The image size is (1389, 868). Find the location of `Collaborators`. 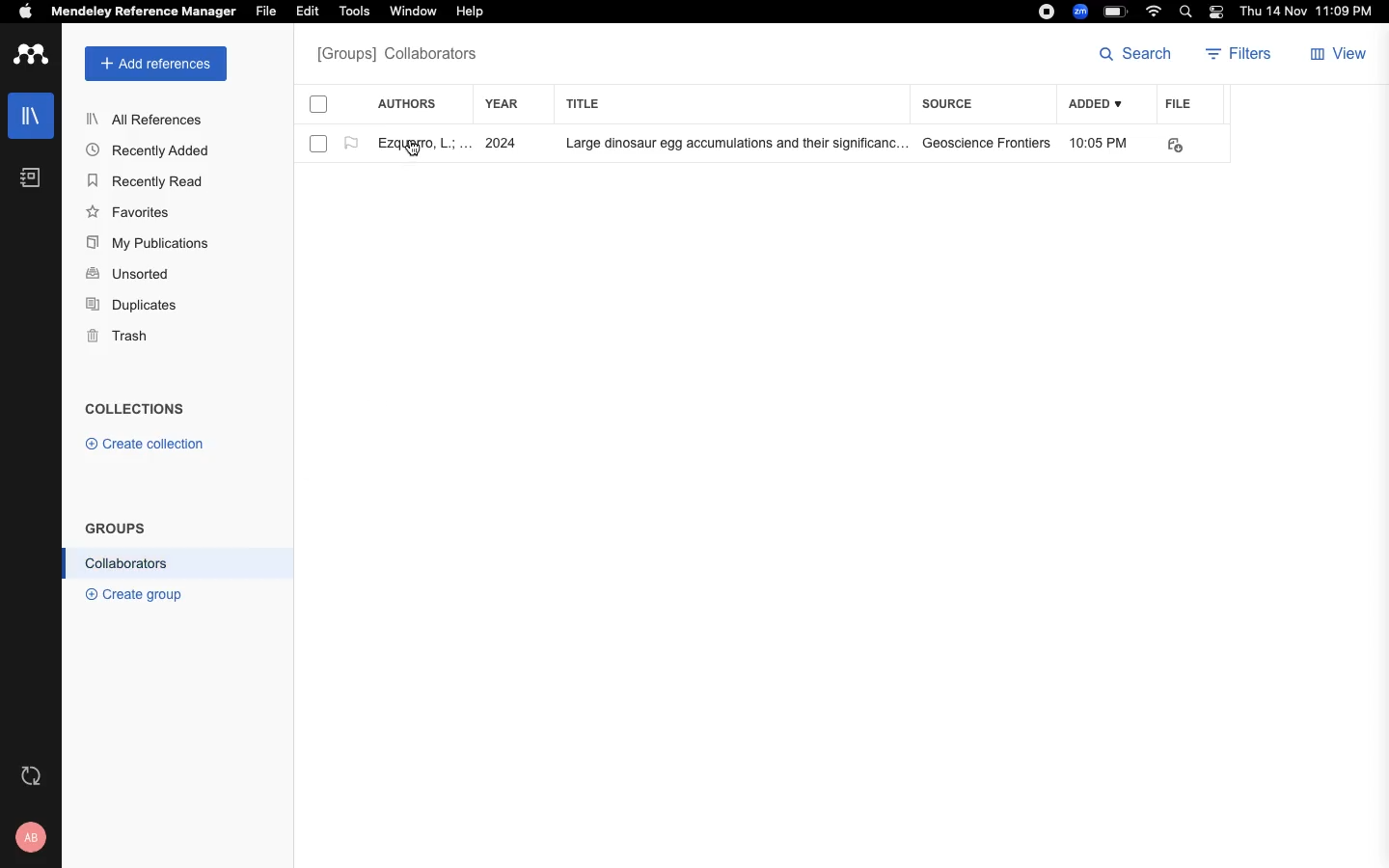

Collaborators is located at coordinates (127, 563).